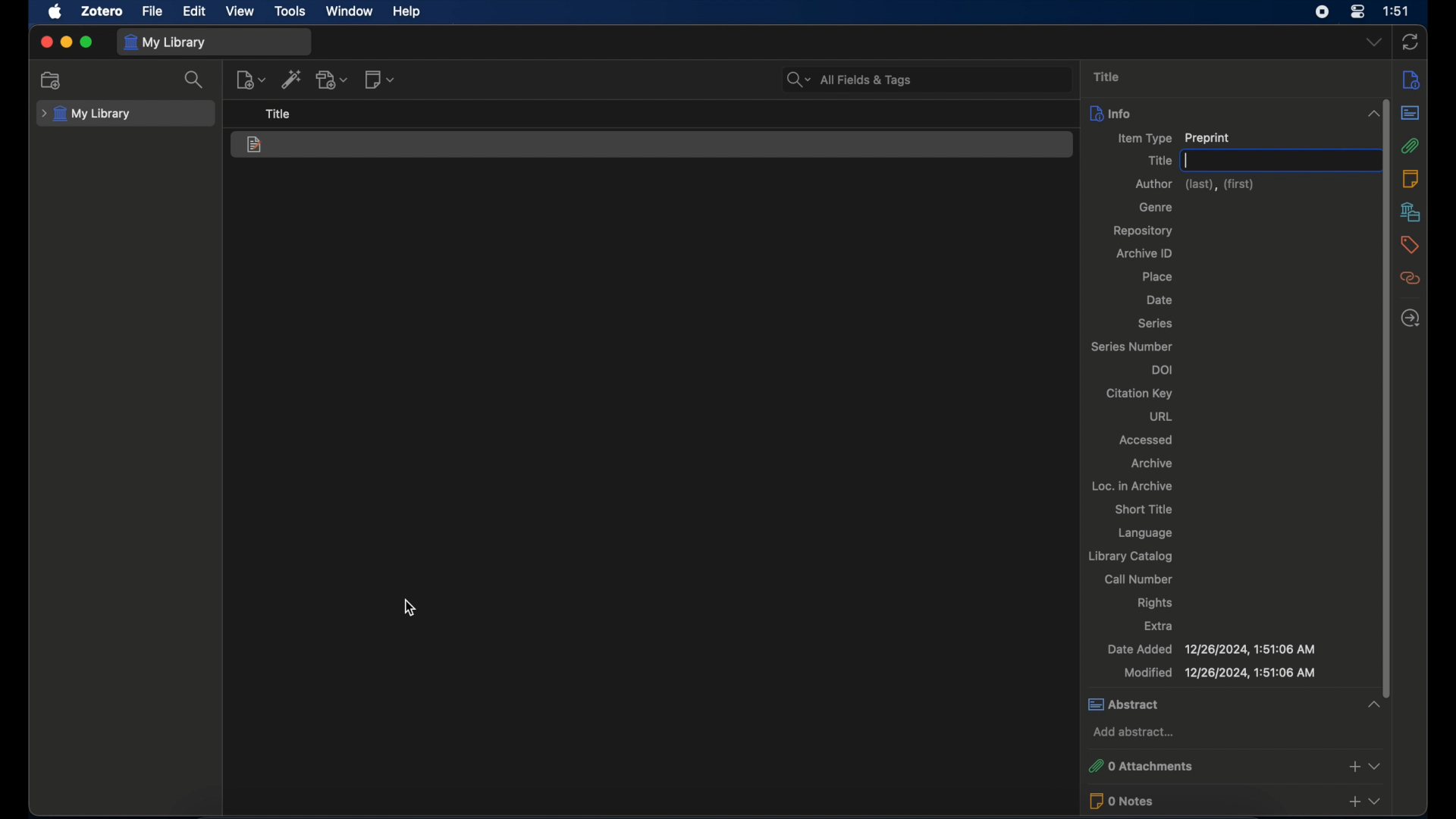 The height and width of the screenshot is (819, 1456). What do you see at coordinates (1157, 626) in the screenshot?
I see `extra` at bounding box center [1157, 626].